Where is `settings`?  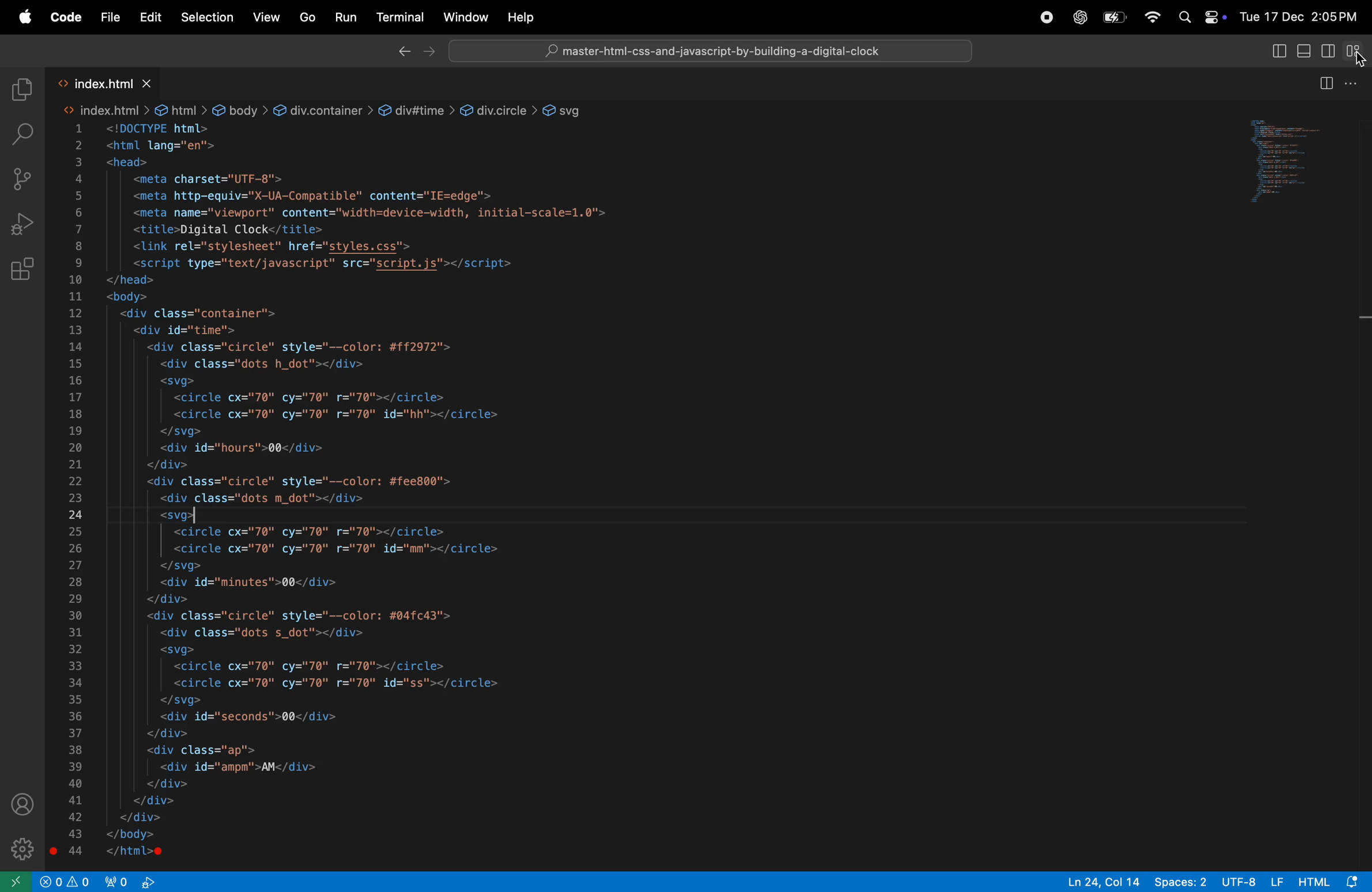
settings is located at coordinates (22, 846).